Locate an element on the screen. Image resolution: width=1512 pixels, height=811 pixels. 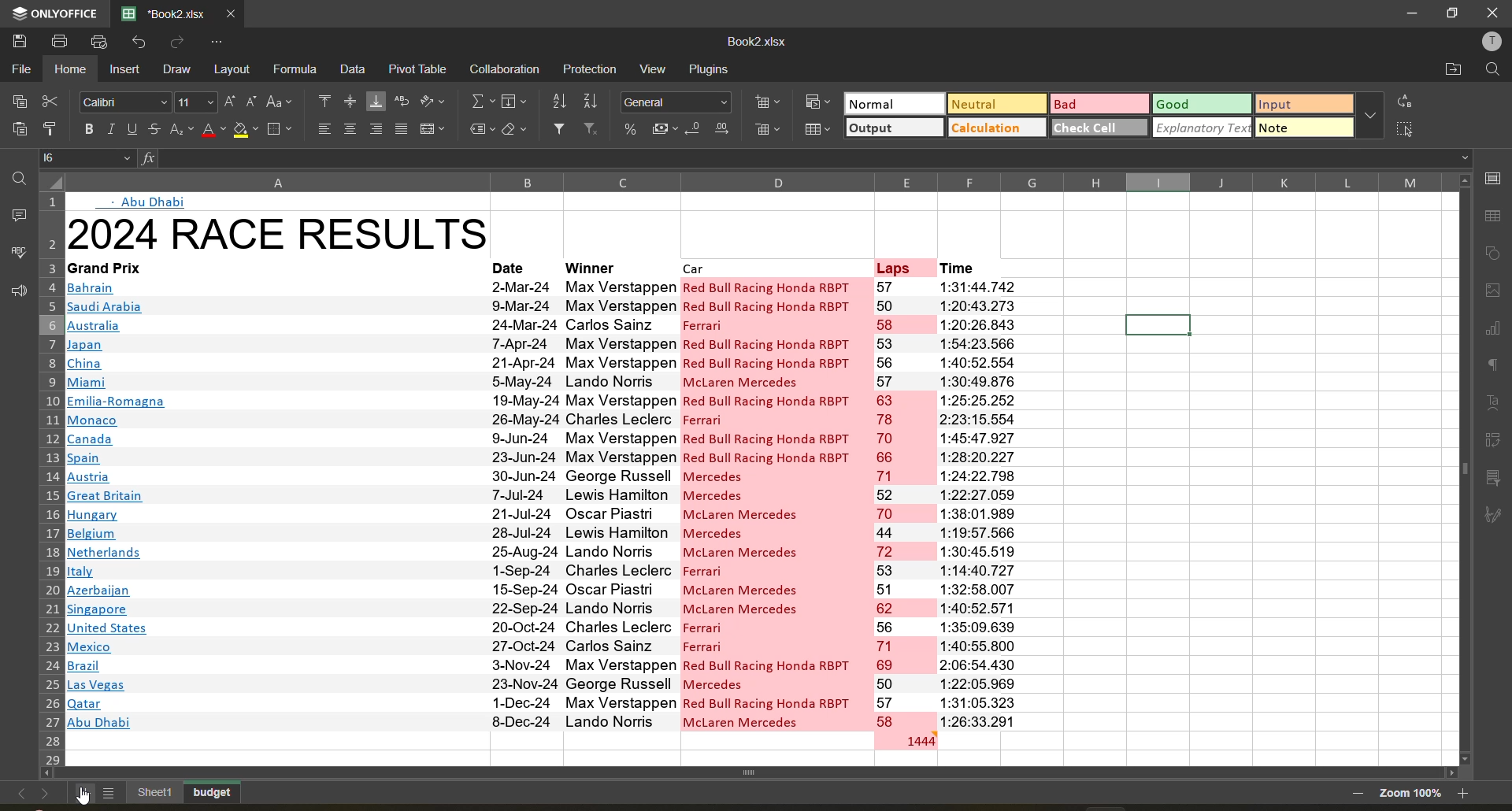
comments is located at coordinates (20, 213).